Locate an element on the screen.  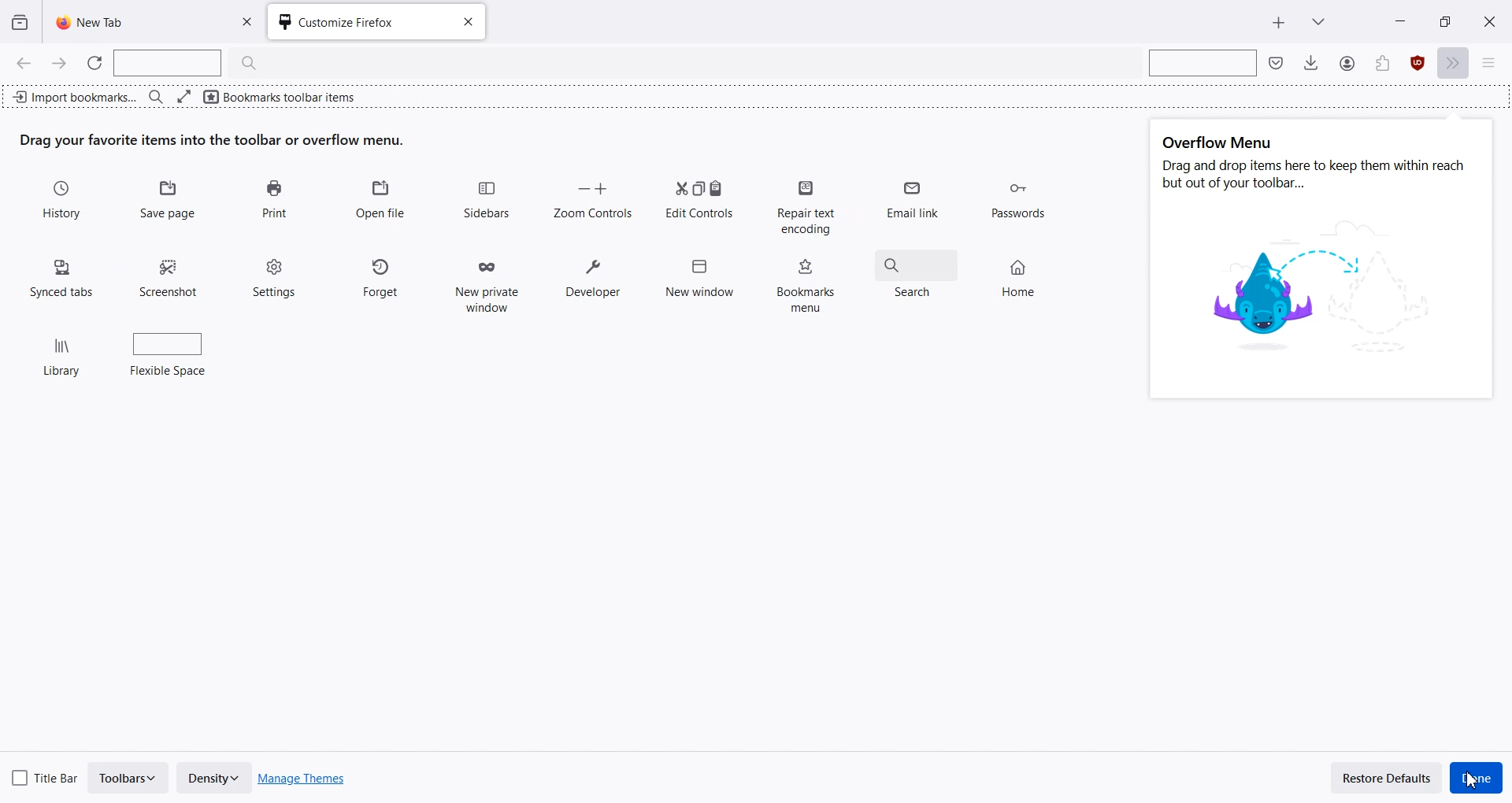
List all tab is located at coordinates (1318, 20).